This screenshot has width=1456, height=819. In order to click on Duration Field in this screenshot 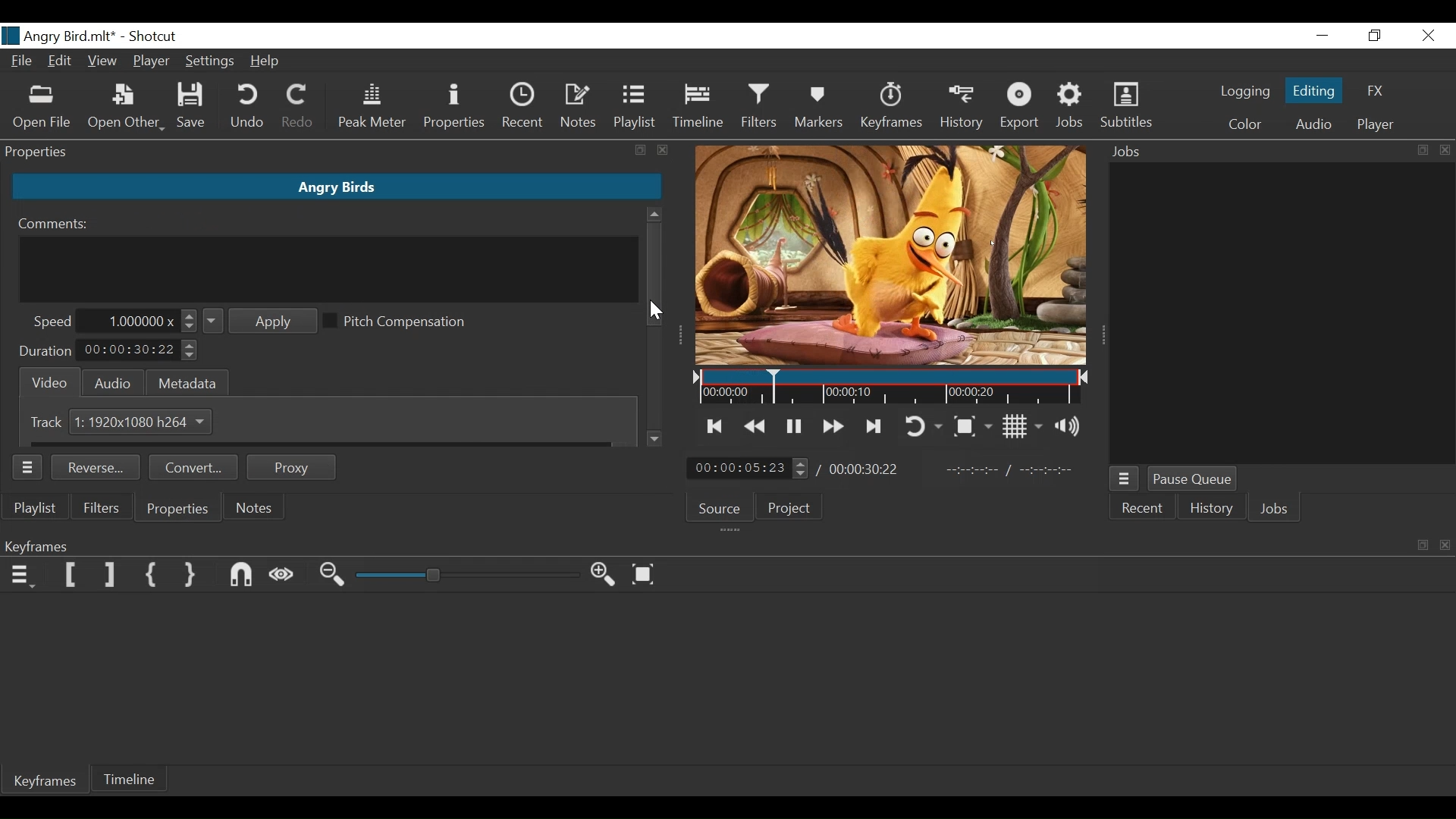, I will do `click(140, 348)`.